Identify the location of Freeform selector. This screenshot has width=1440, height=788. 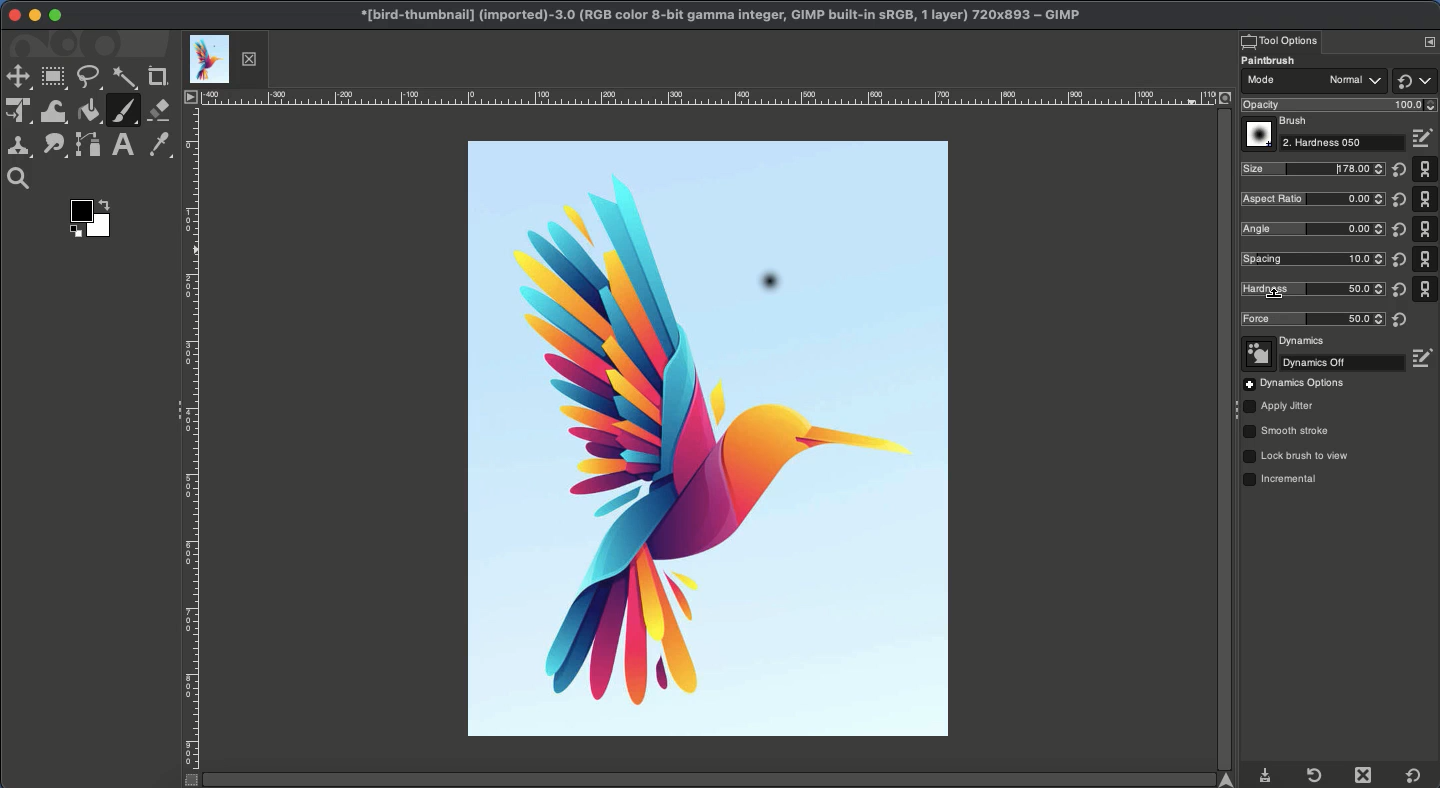
(90, 78).